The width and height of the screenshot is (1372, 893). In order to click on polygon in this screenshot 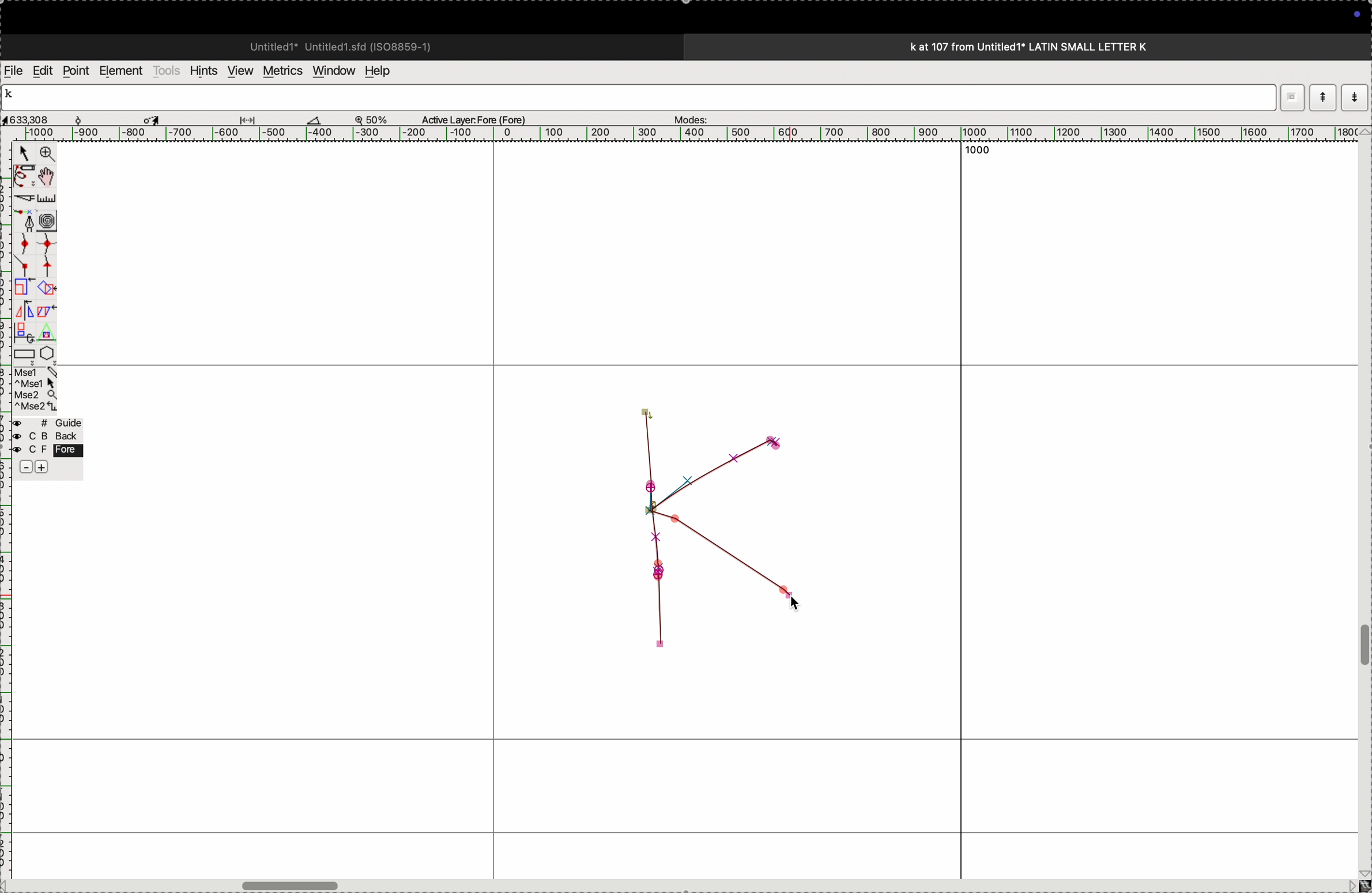, I will do `click(47, 353)`.